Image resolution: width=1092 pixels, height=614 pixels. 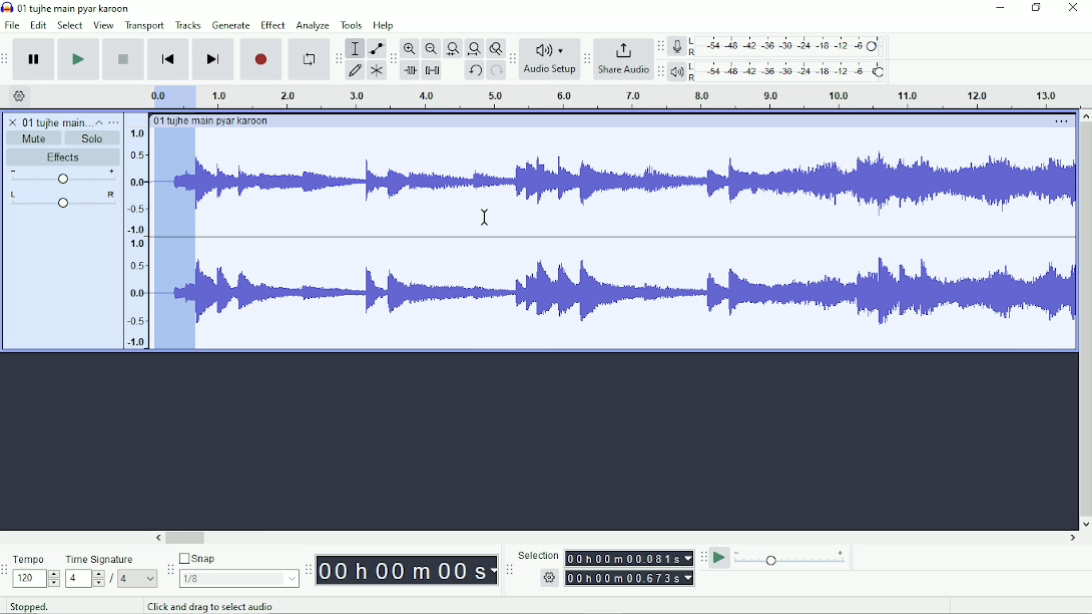 What do you see at coordinates (393, 60) in the screenshot?
I see `Audacity edit toolbar` at bounding box center [393, 60].